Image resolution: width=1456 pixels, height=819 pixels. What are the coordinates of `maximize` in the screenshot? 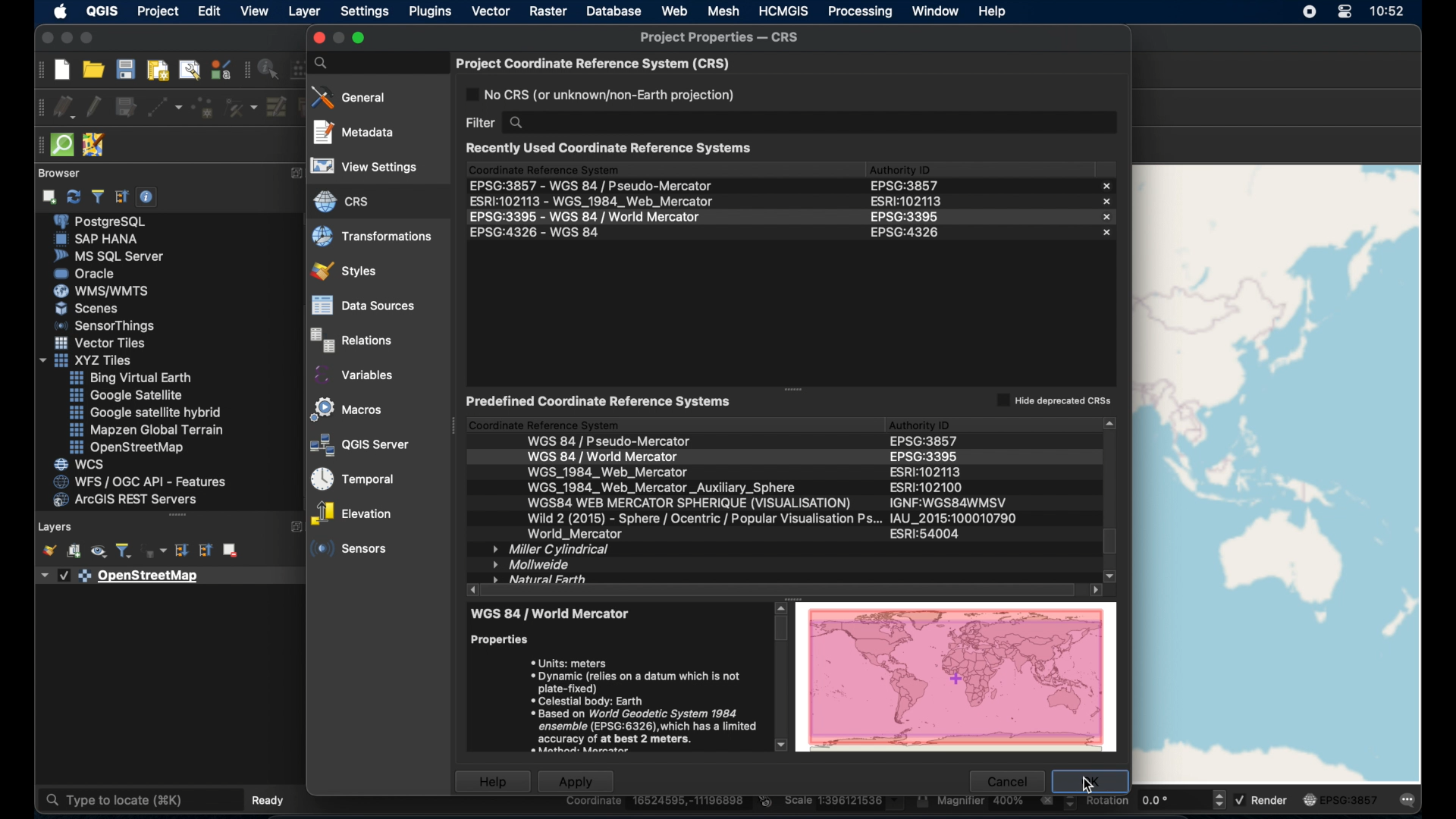 It's located at (89, 37).